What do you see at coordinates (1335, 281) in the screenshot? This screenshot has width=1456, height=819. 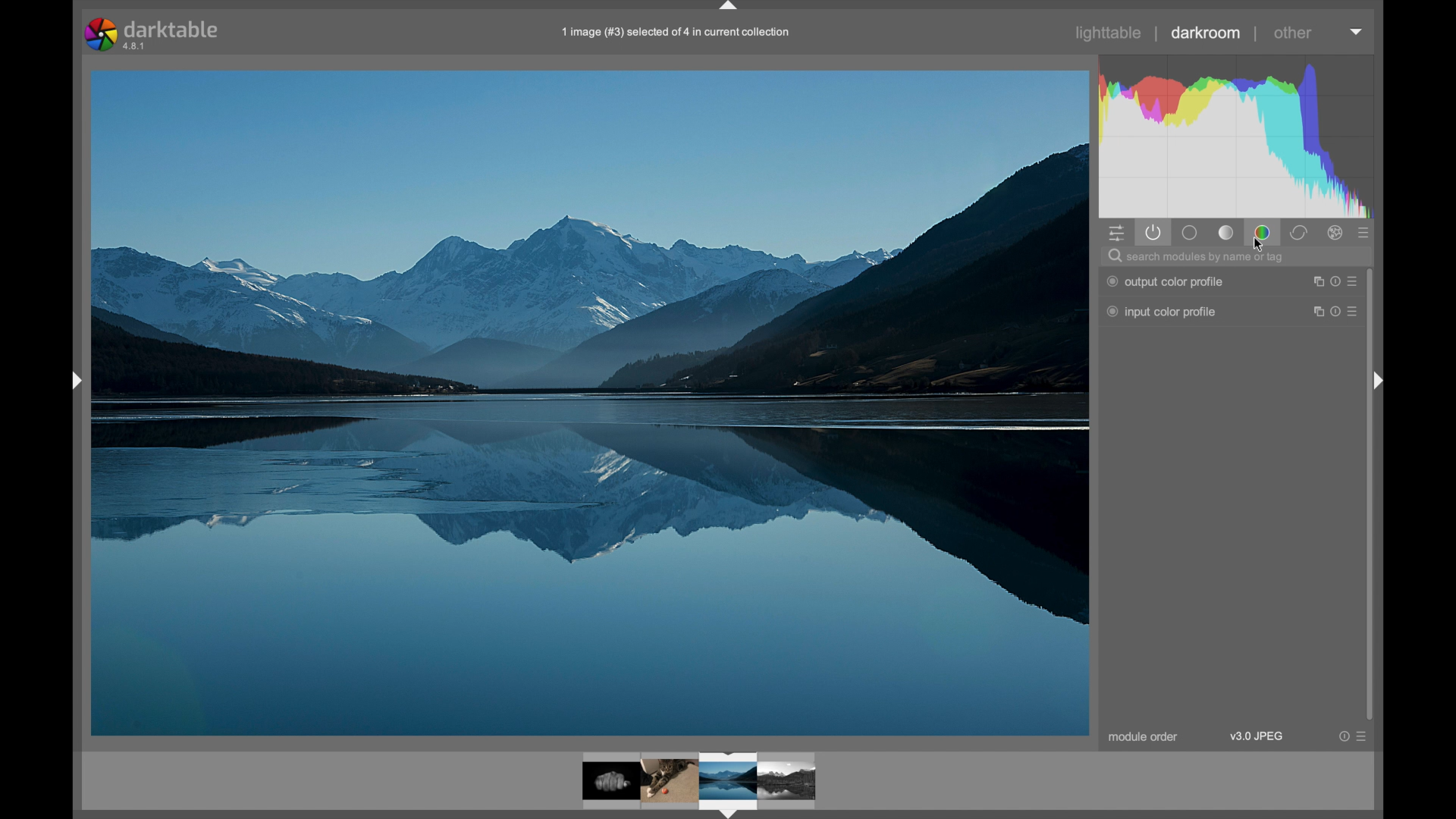 I see `more options` at bounding box center [1335, 281].